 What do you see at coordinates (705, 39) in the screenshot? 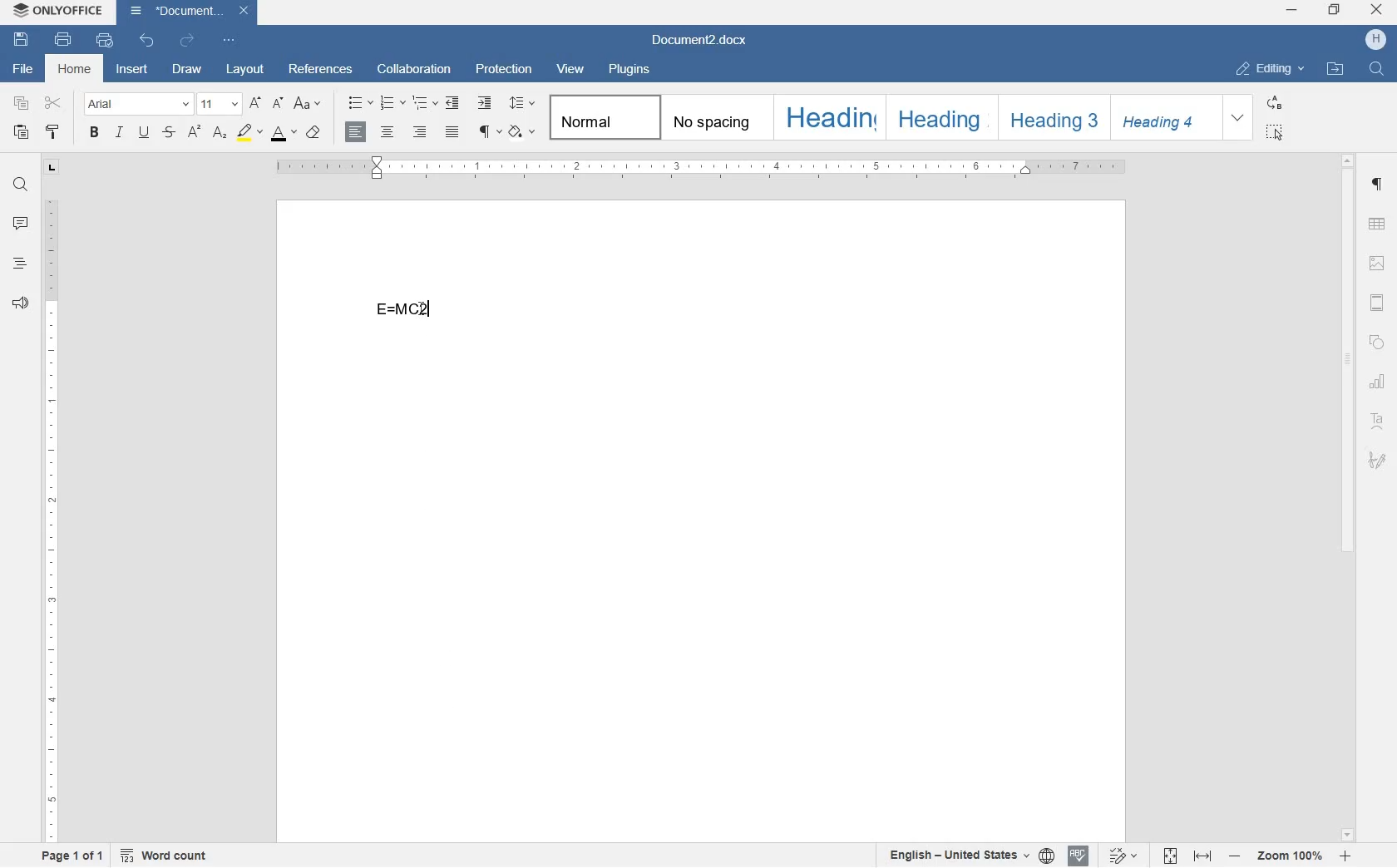
I see `file name` at bounding box center [705, 39].